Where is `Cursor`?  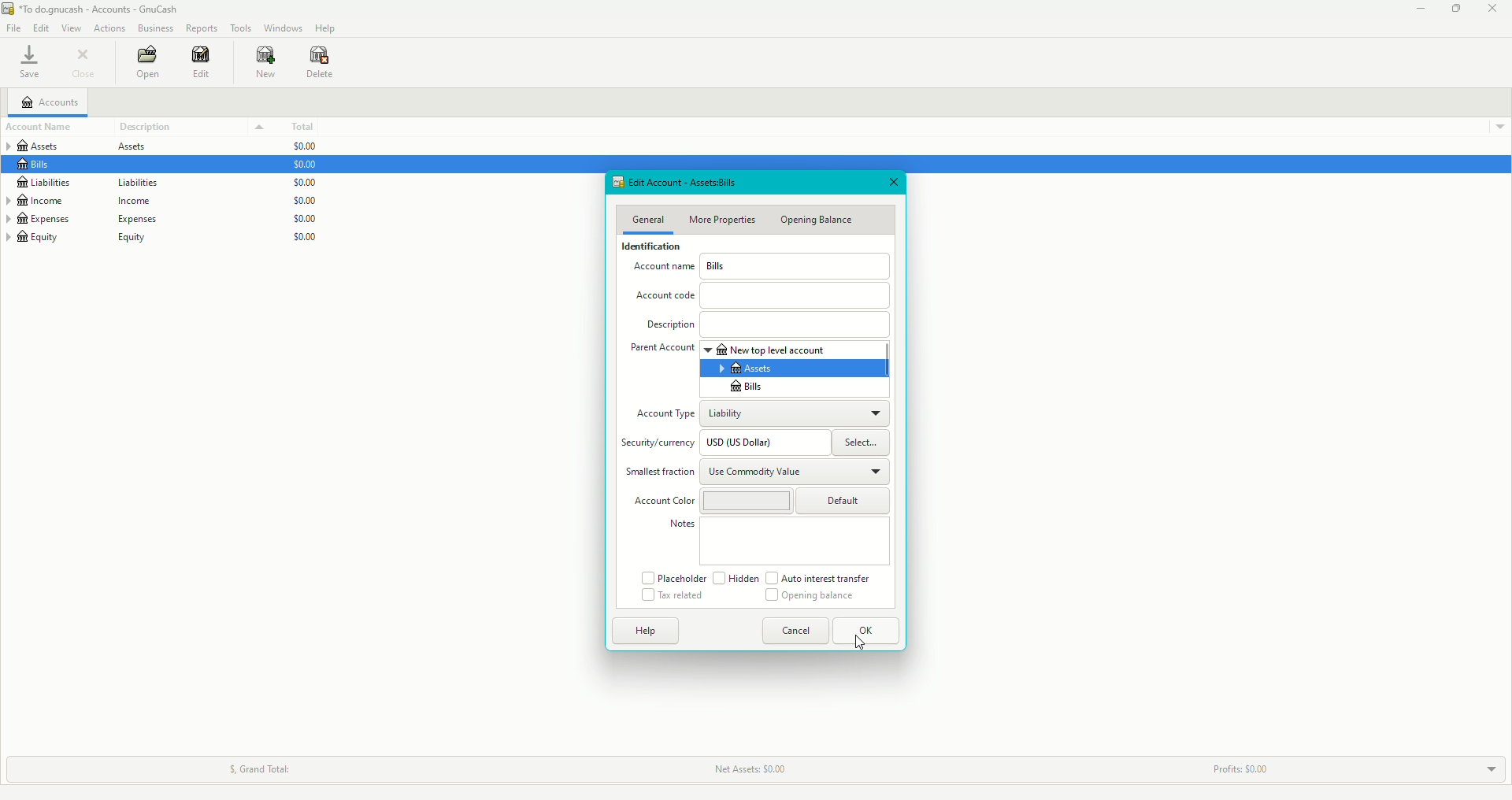 Cursor is located at coordinates (863, 646).